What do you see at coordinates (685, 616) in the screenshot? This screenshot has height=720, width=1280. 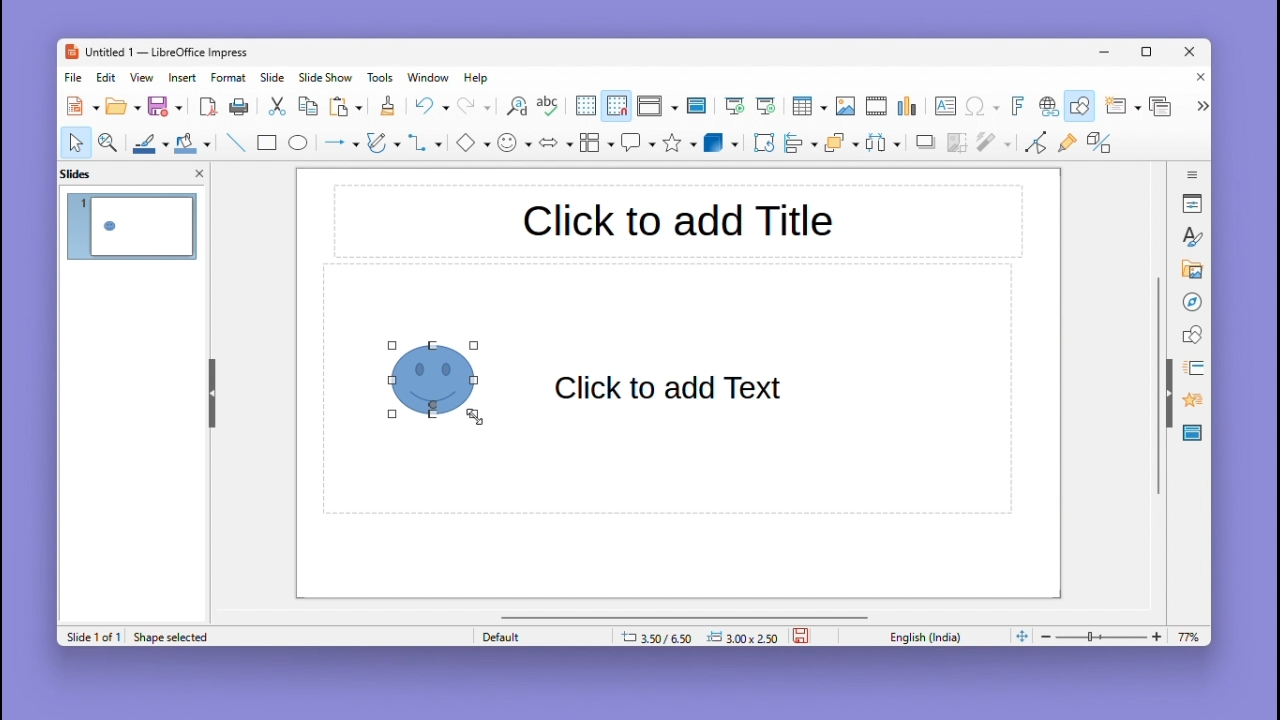 I see `Horizontal scroll bar` at bounding box center [685, 616].